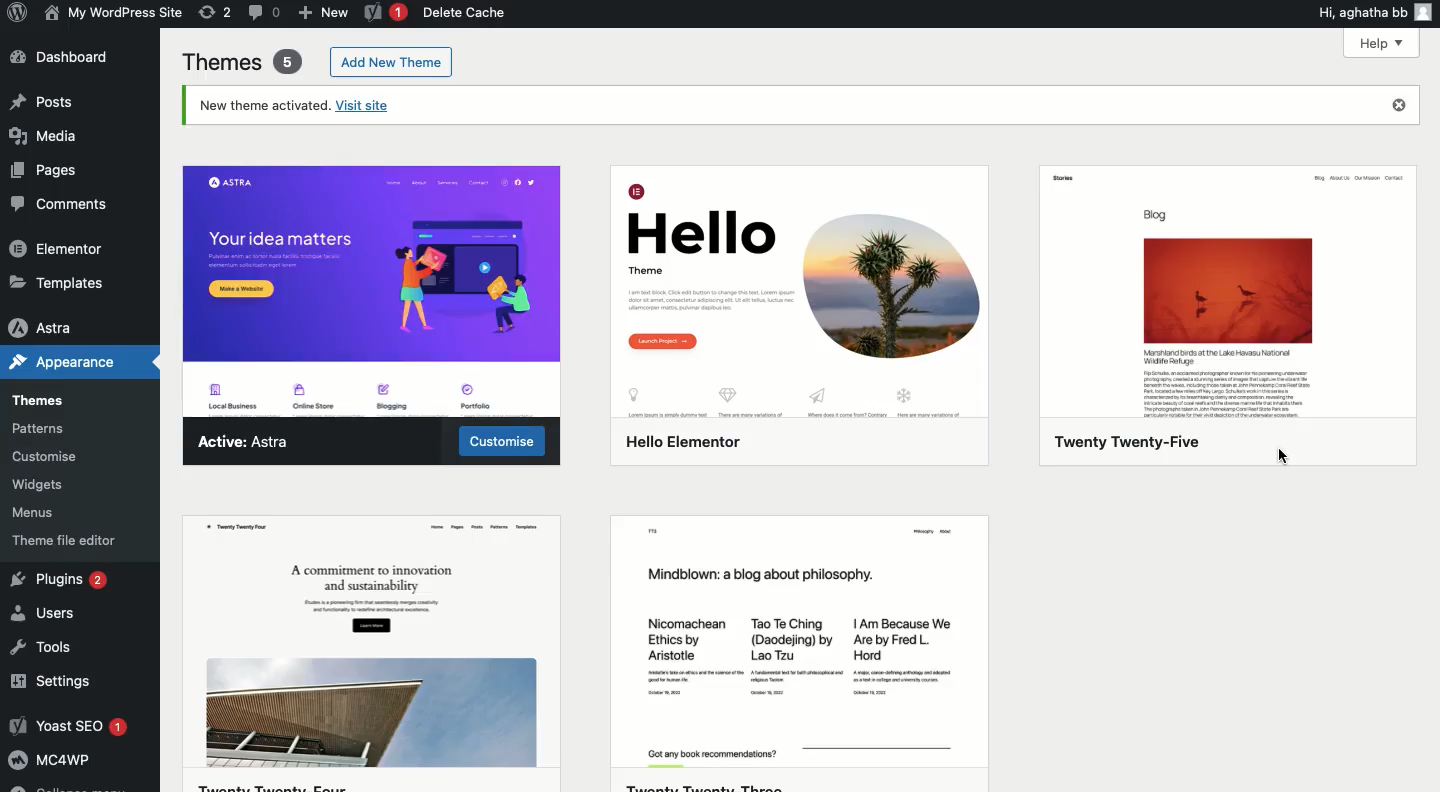  What do you see at coordinates (68, 363) in the screenshot?
I see `Appearance` at bounding box center [68, 363].